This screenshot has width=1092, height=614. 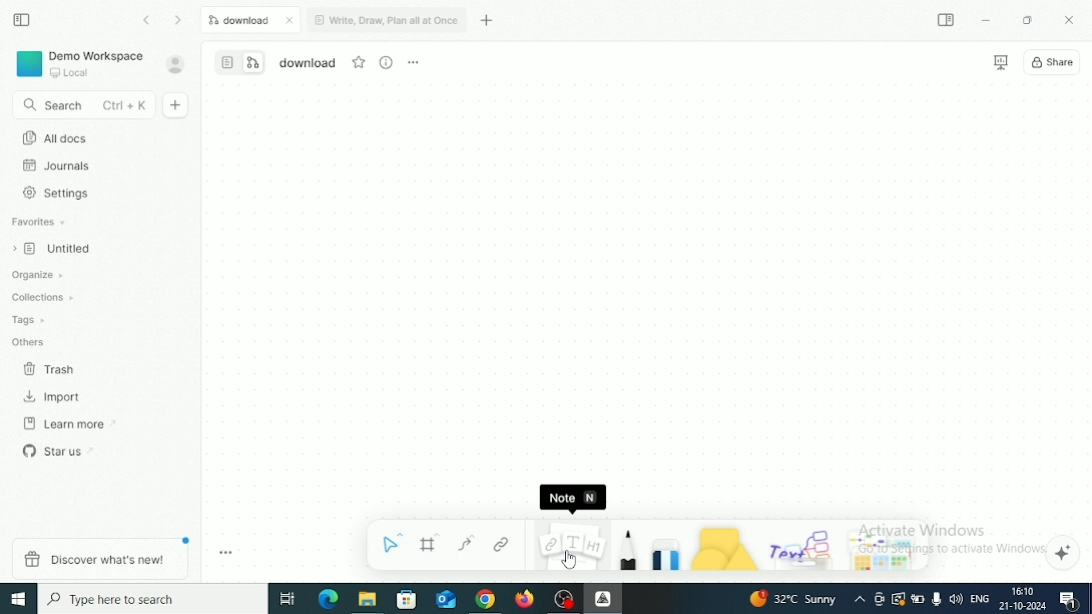 What do you see at coordinates (40, 222) in the screenshot?
I see `Favorites` at bounding box center [40, 222].